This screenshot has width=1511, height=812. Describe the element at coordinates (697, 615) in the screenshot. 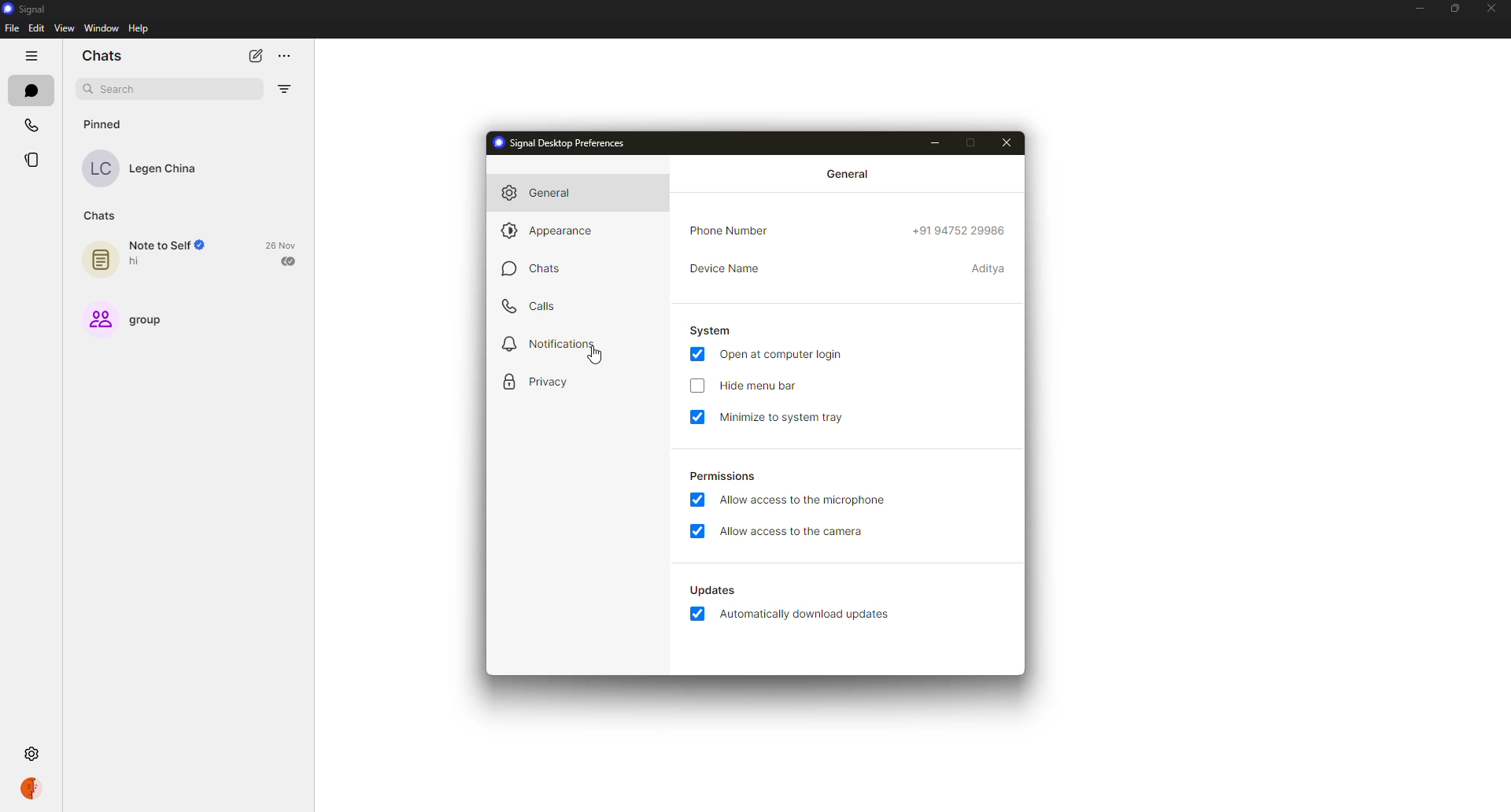

I see `enabled` at that location.